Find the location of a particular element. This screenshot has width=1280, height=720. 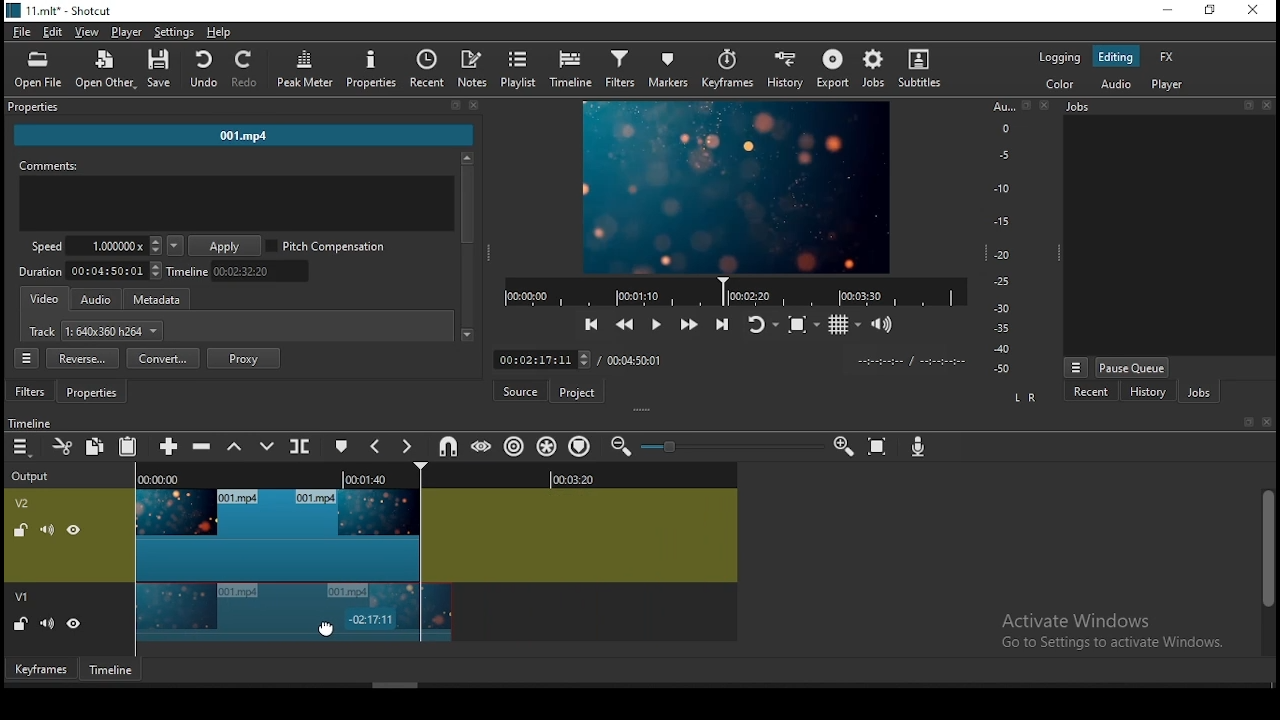

scrub while dragging is located at coordinates (484, 445).